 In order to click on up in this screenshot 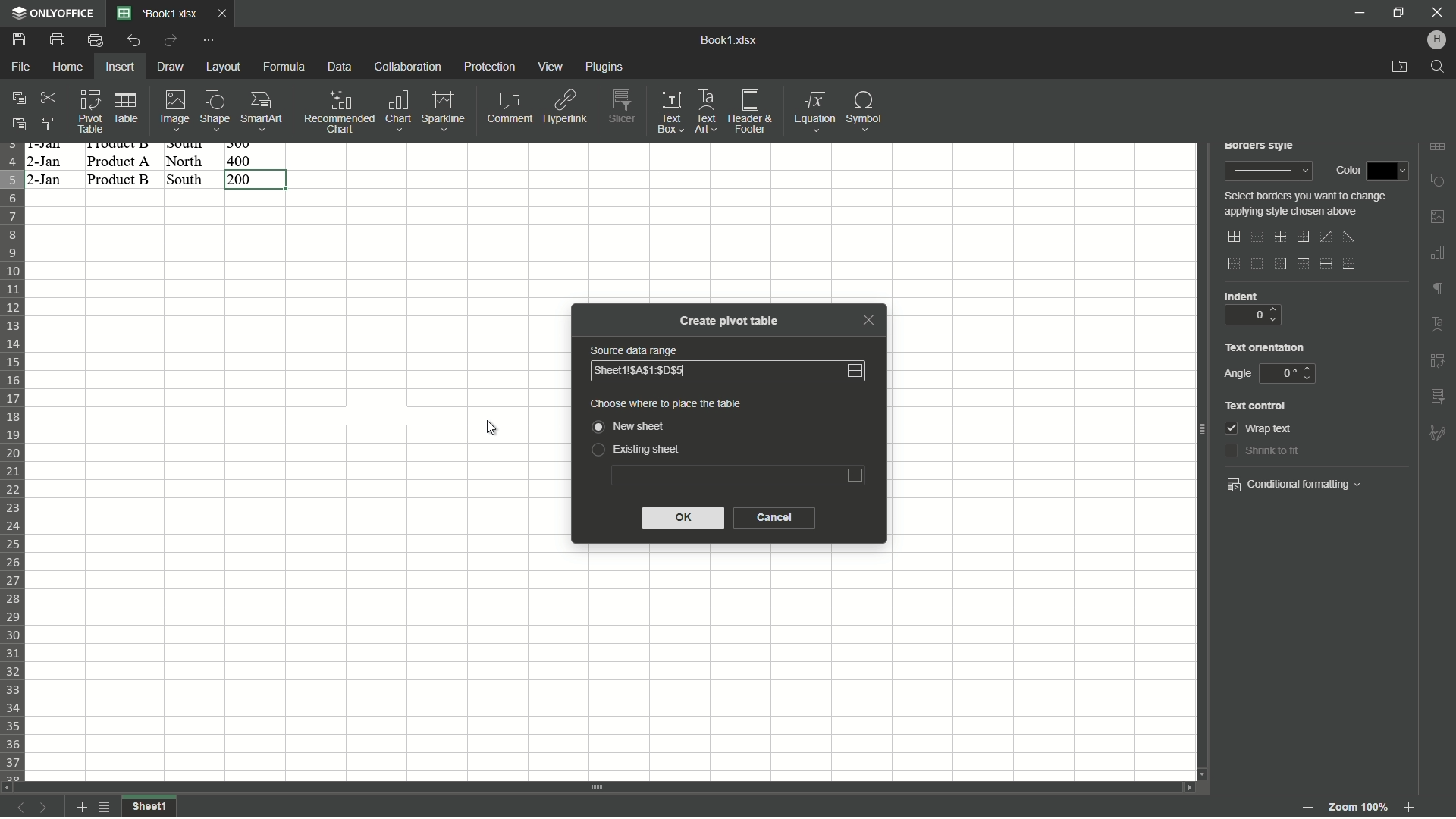, I will do `click(1276, 308)`.